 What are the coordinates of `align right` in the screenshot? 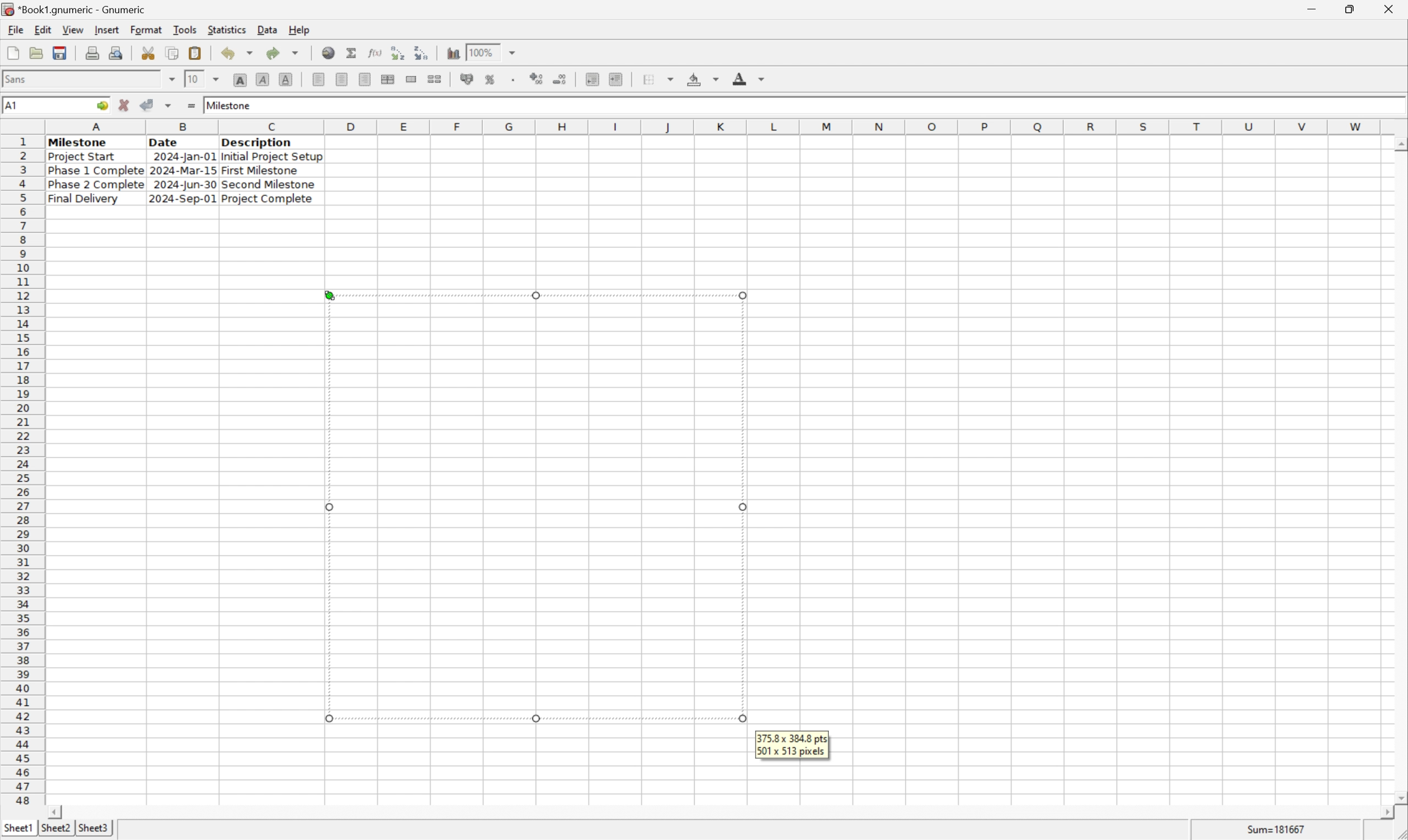 It's located at (363, 80).